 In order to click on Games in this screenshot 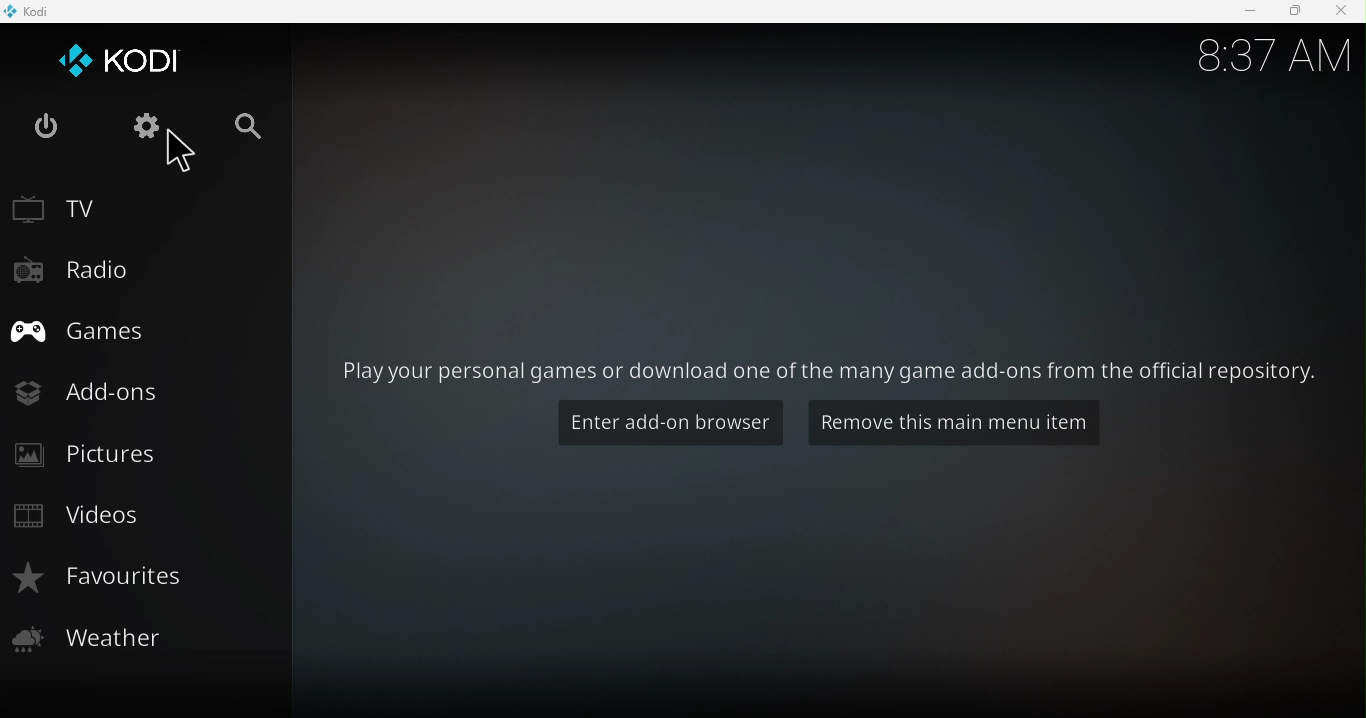, I will do `click(145, 328)`.